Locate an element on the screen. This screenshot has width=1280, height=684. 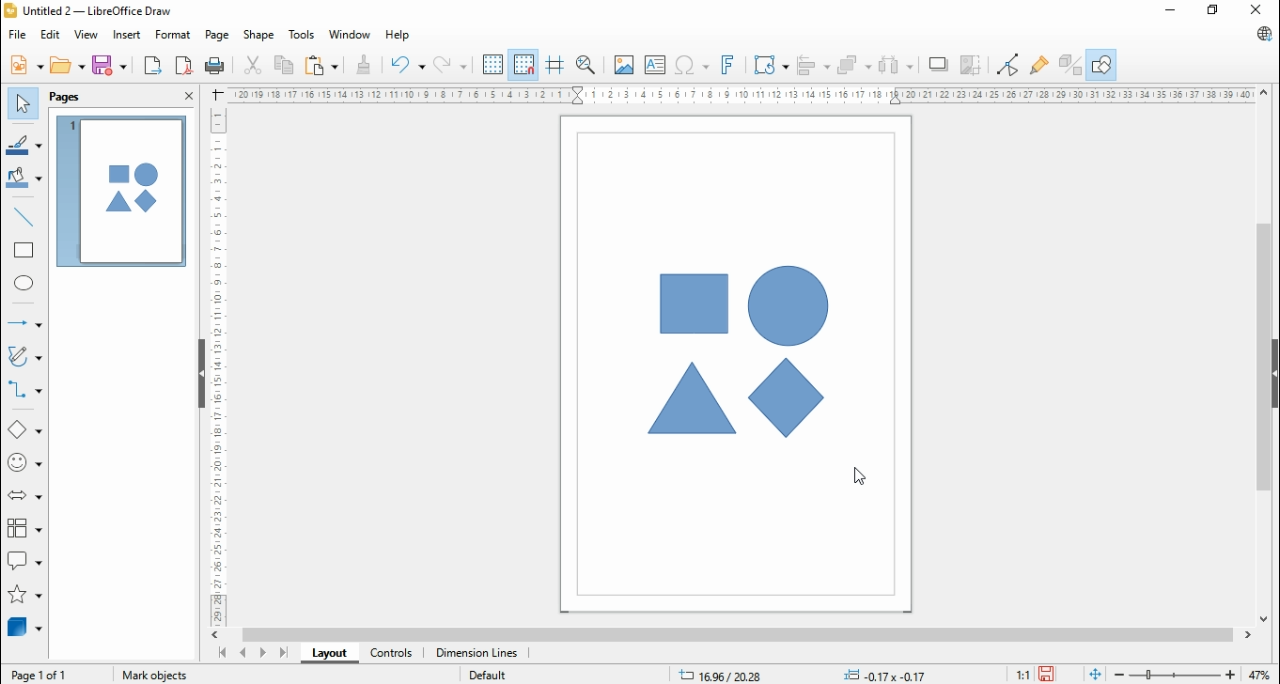
shape 4 is located at coordinates (789, 399).